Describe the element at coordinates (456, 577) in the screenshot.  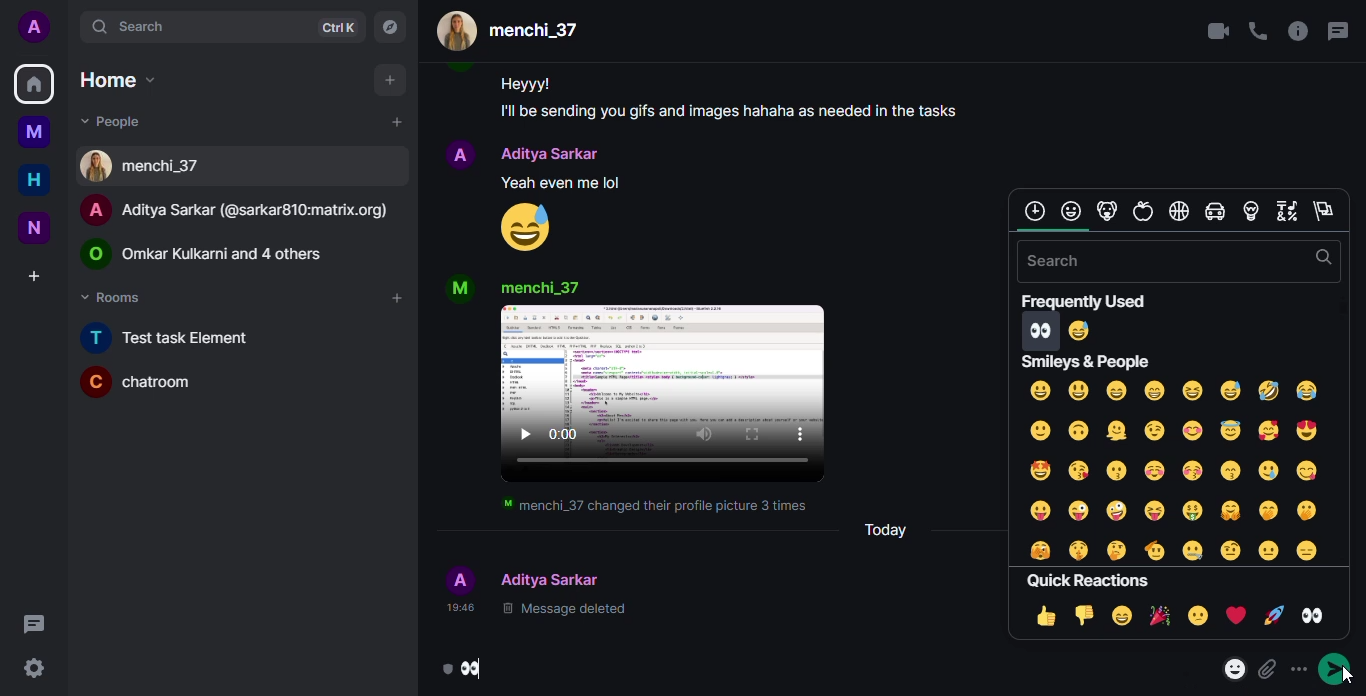
I see `profile` at that location.